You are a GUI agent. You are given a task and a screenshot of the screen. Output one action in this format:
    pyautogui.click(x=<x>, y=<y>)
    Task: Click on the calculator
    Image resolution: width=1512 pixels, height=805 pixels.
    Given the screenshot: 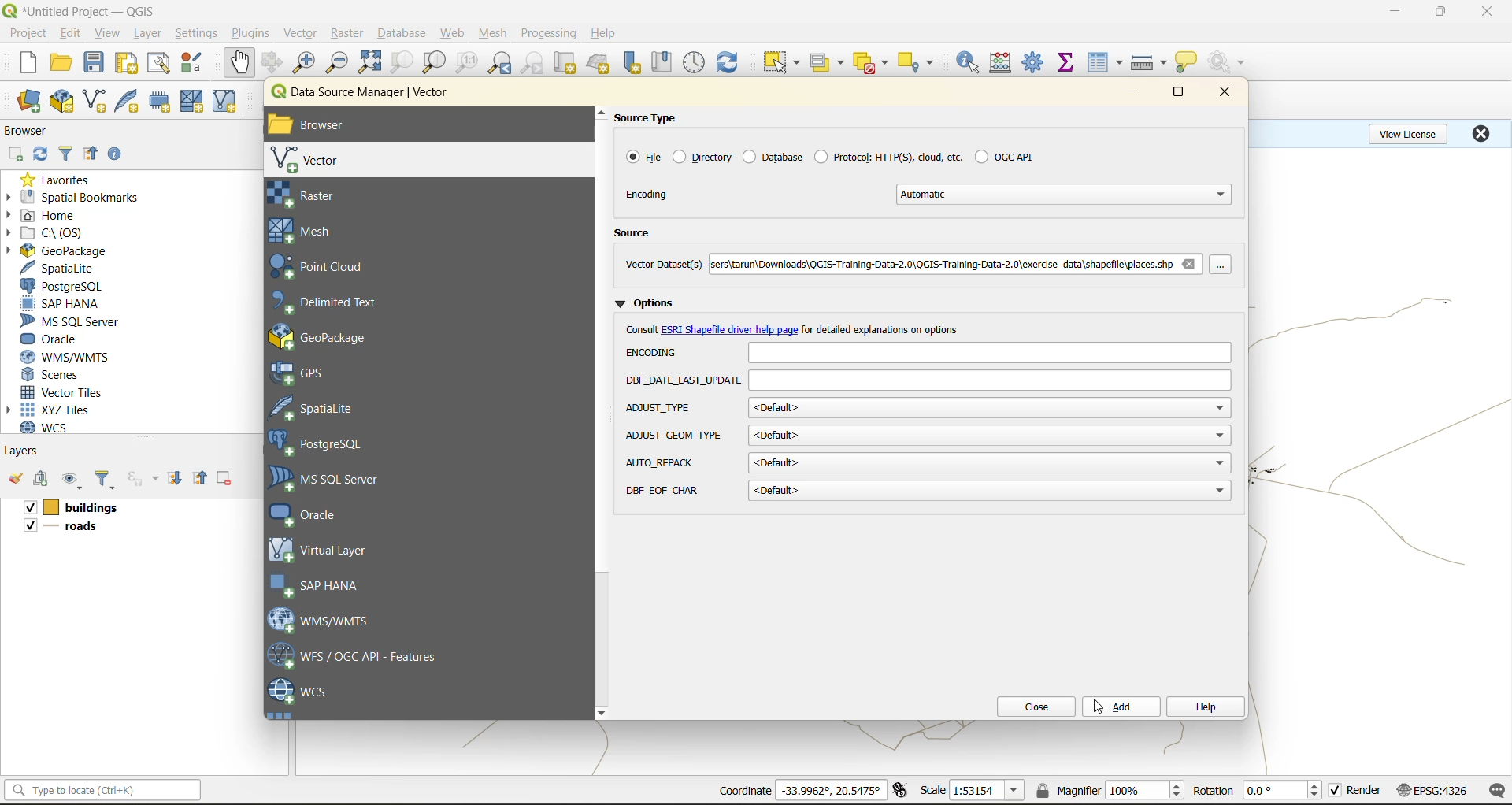 What is the action you would take?
    pyautogui.click(x=1006, y=65)
    